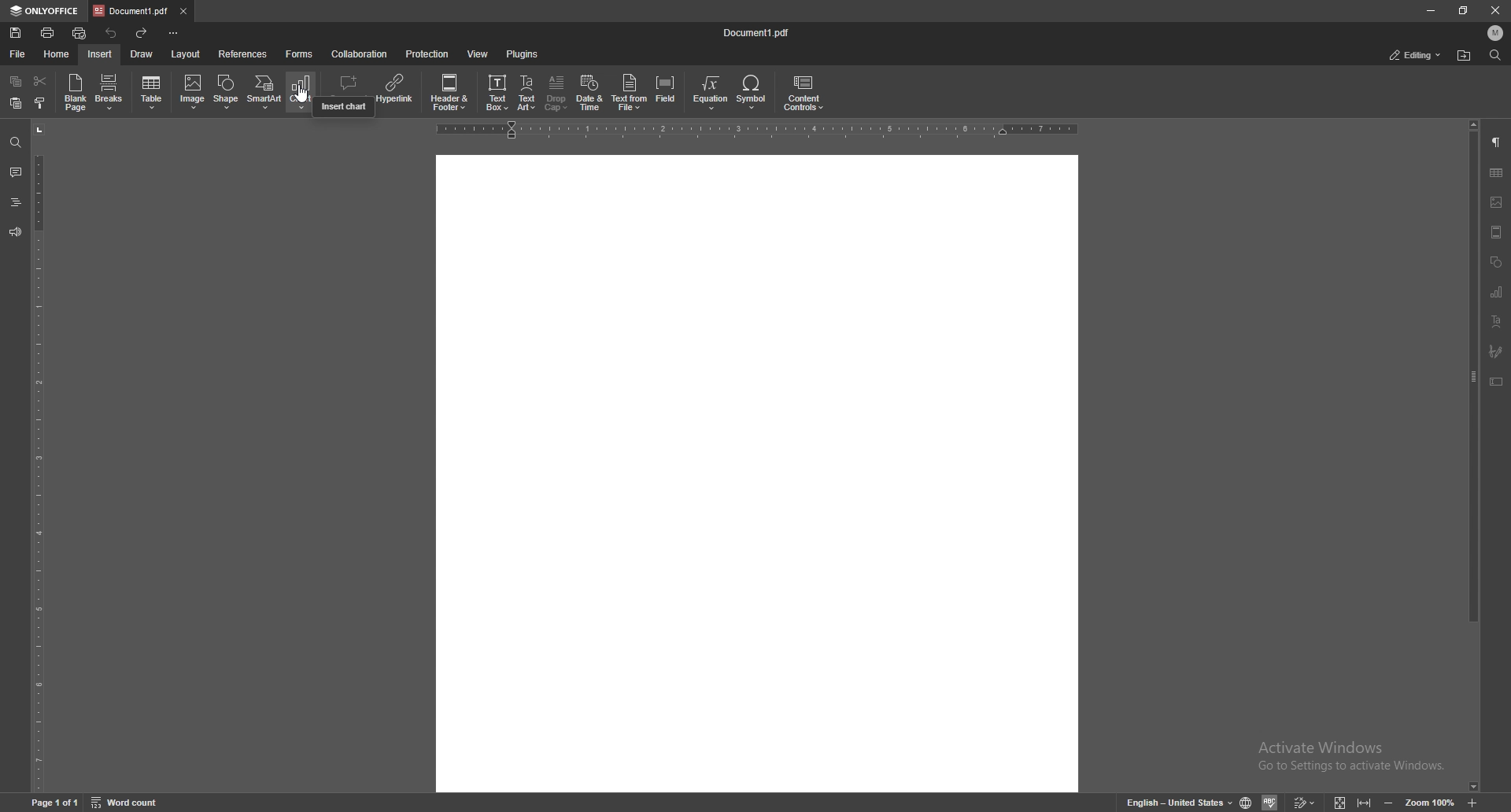 The height and width of the screenshot is (812, 1511). I want to click on symbol, so click(753, 93).